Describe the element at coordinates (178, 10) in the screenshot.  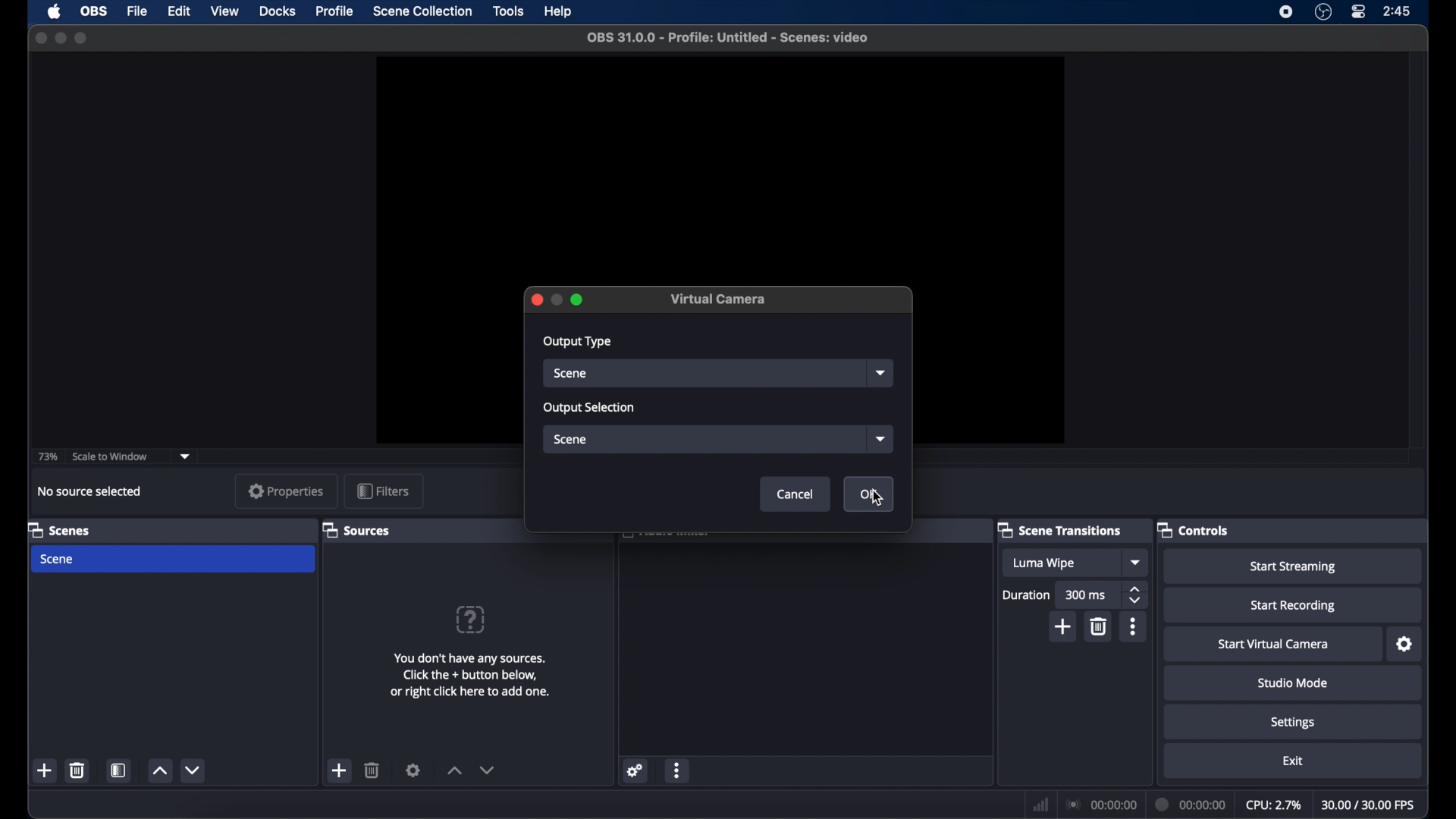
I see `edit` at that location.